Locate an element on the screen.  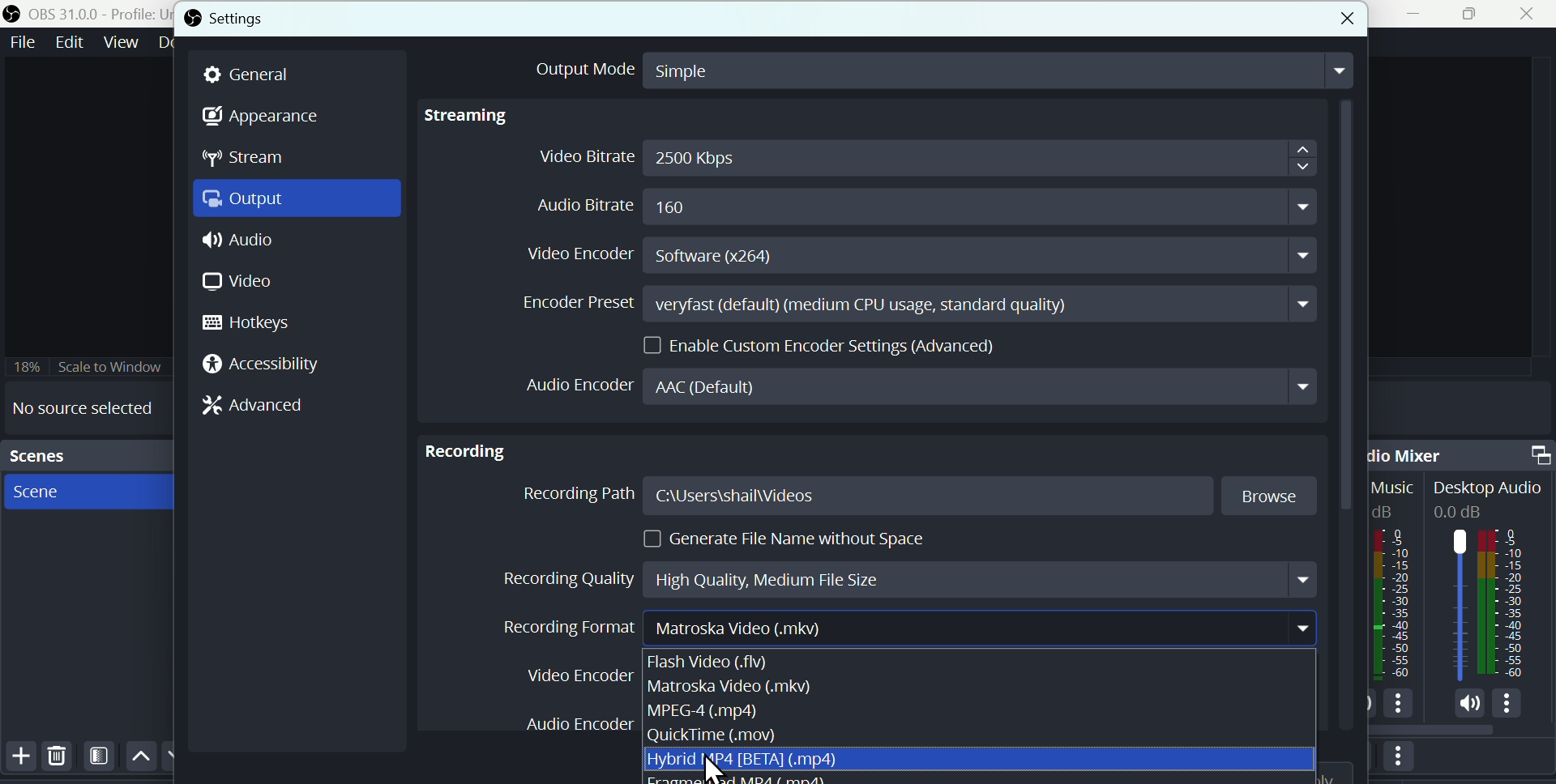
Advanced is located at coordinates (257, 405).